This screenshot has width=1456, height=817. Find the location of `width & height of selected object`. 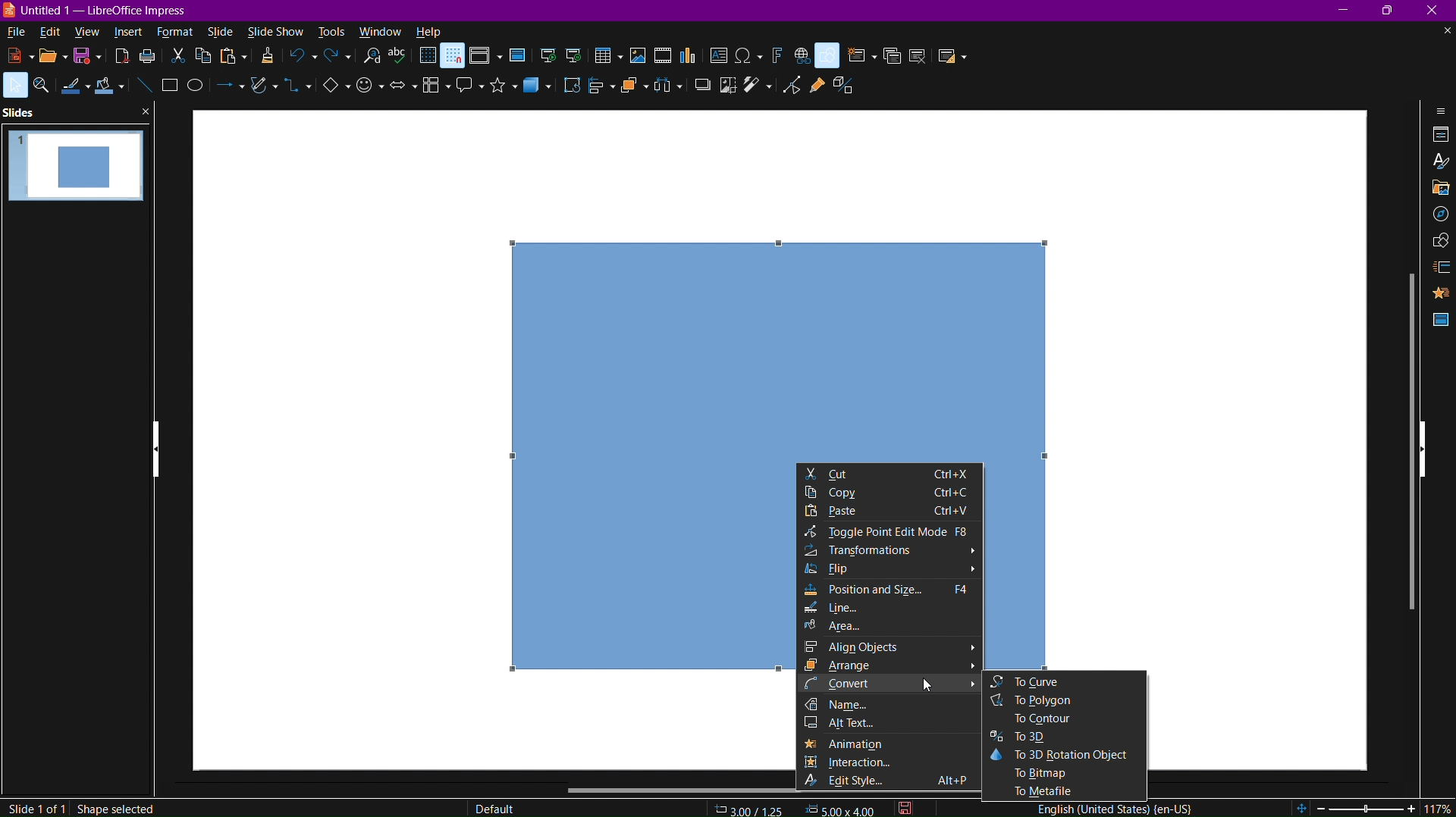

width & height of selected object is located at coordinates (841, 809).